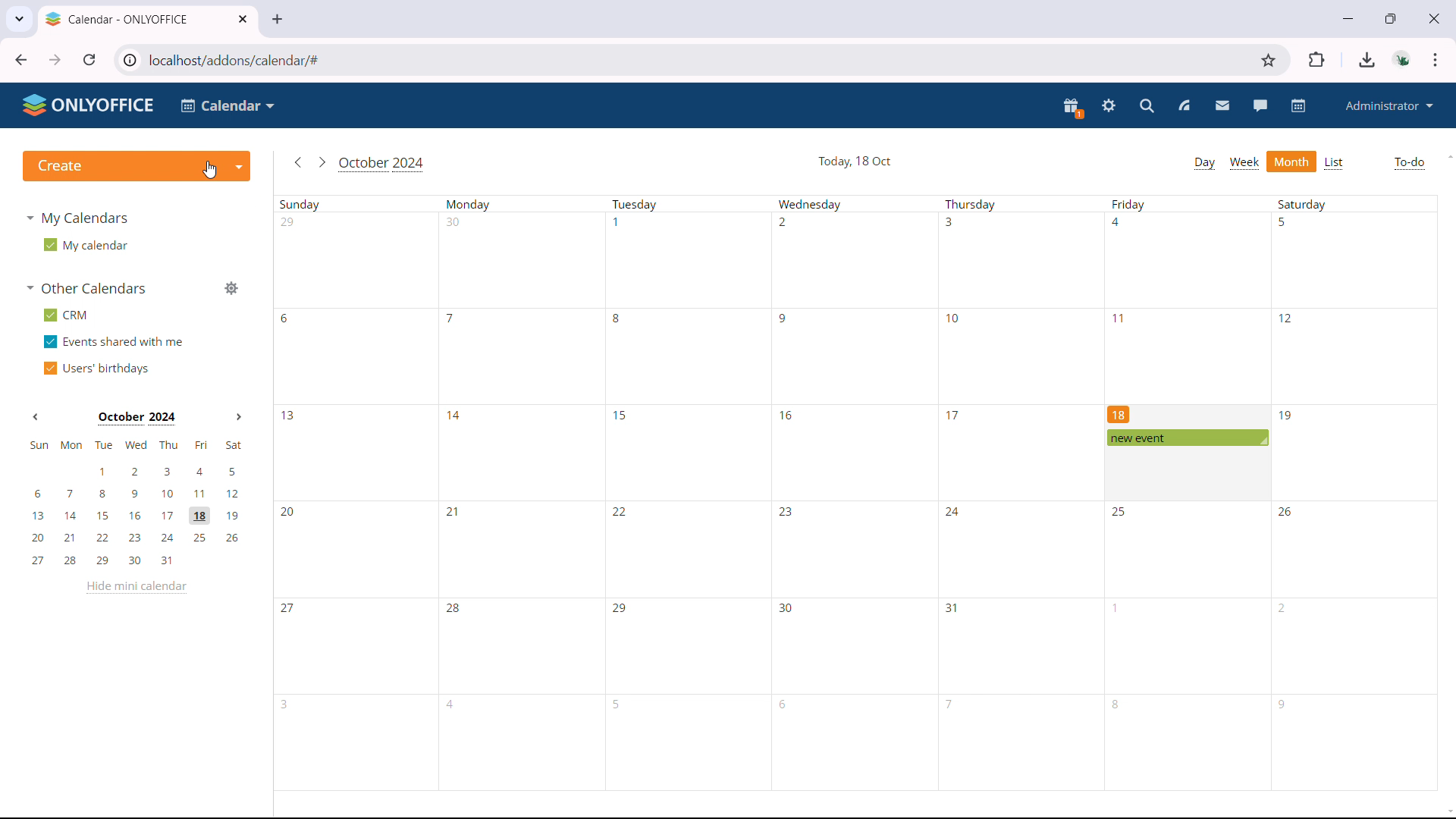 This screenshot has width=1456, height=819. What do you see at coordinates (1269, 61) in the screenshot?
I see `bookmark this tab` at bounding box center [1269, 61].